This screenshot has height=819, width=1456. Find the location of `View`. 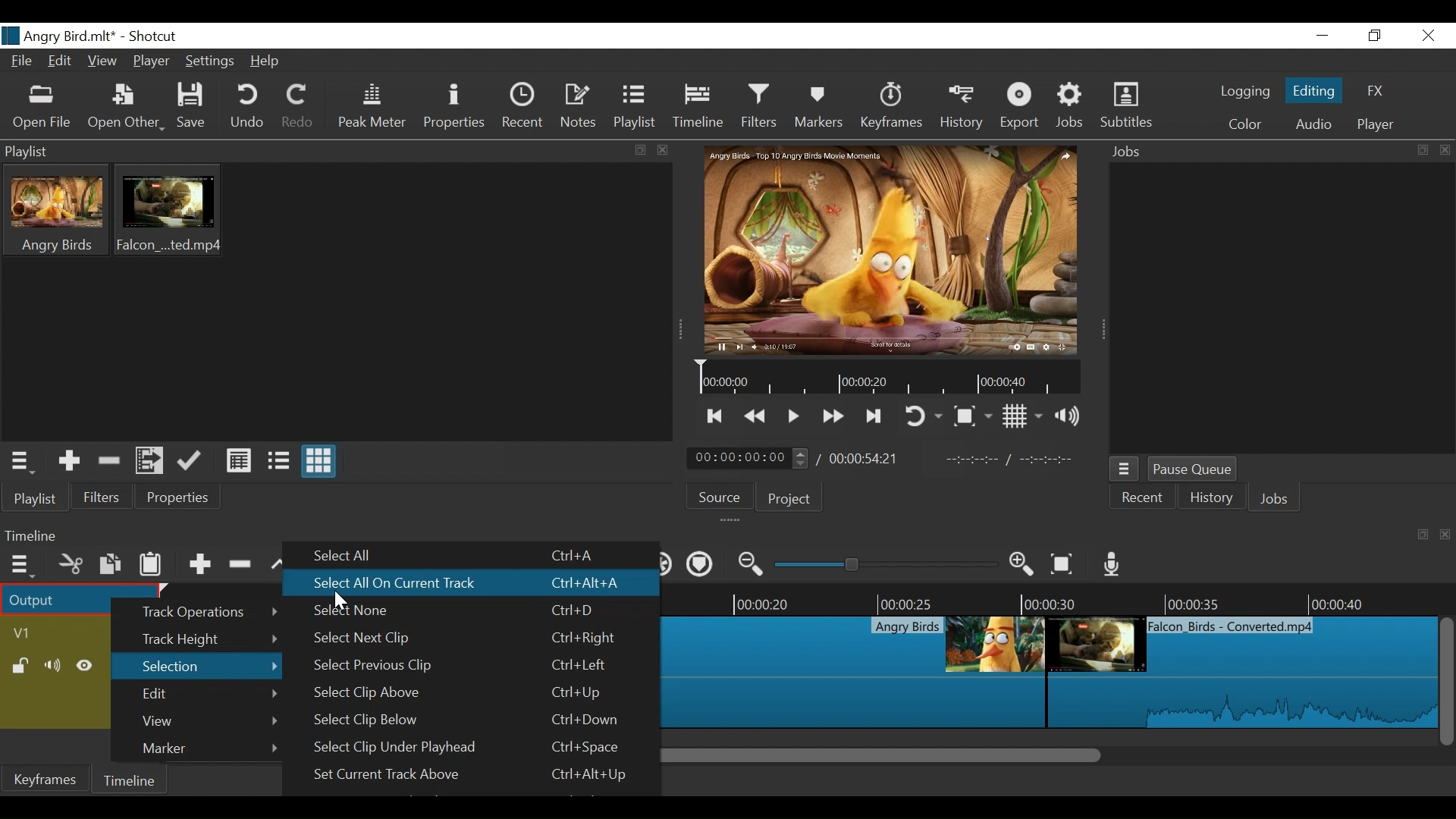

View is located at coordinates (210, 721).